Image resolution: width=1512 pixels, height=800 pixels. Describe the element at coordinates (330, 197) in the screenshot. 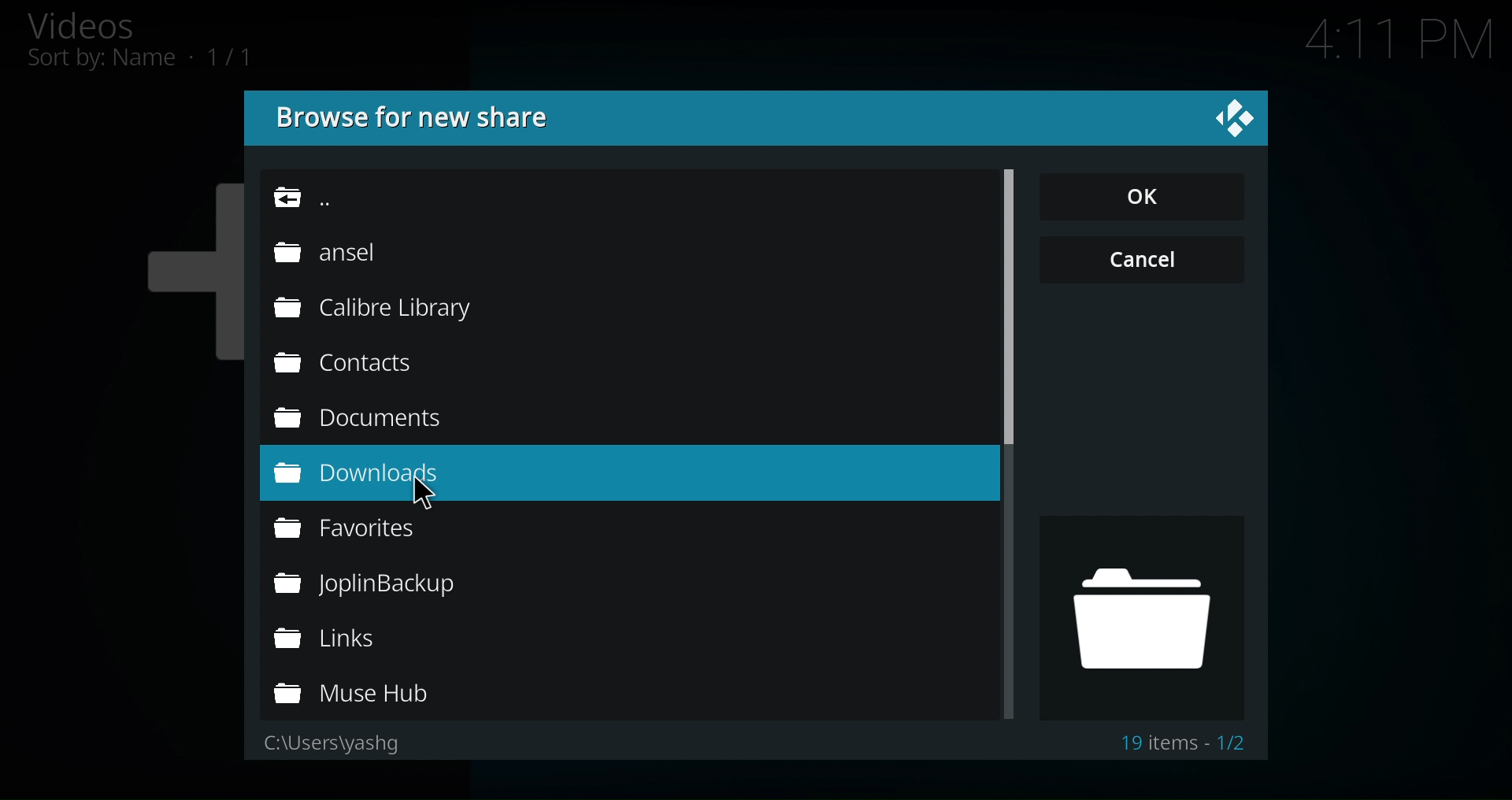

I see `Go back` at that location.